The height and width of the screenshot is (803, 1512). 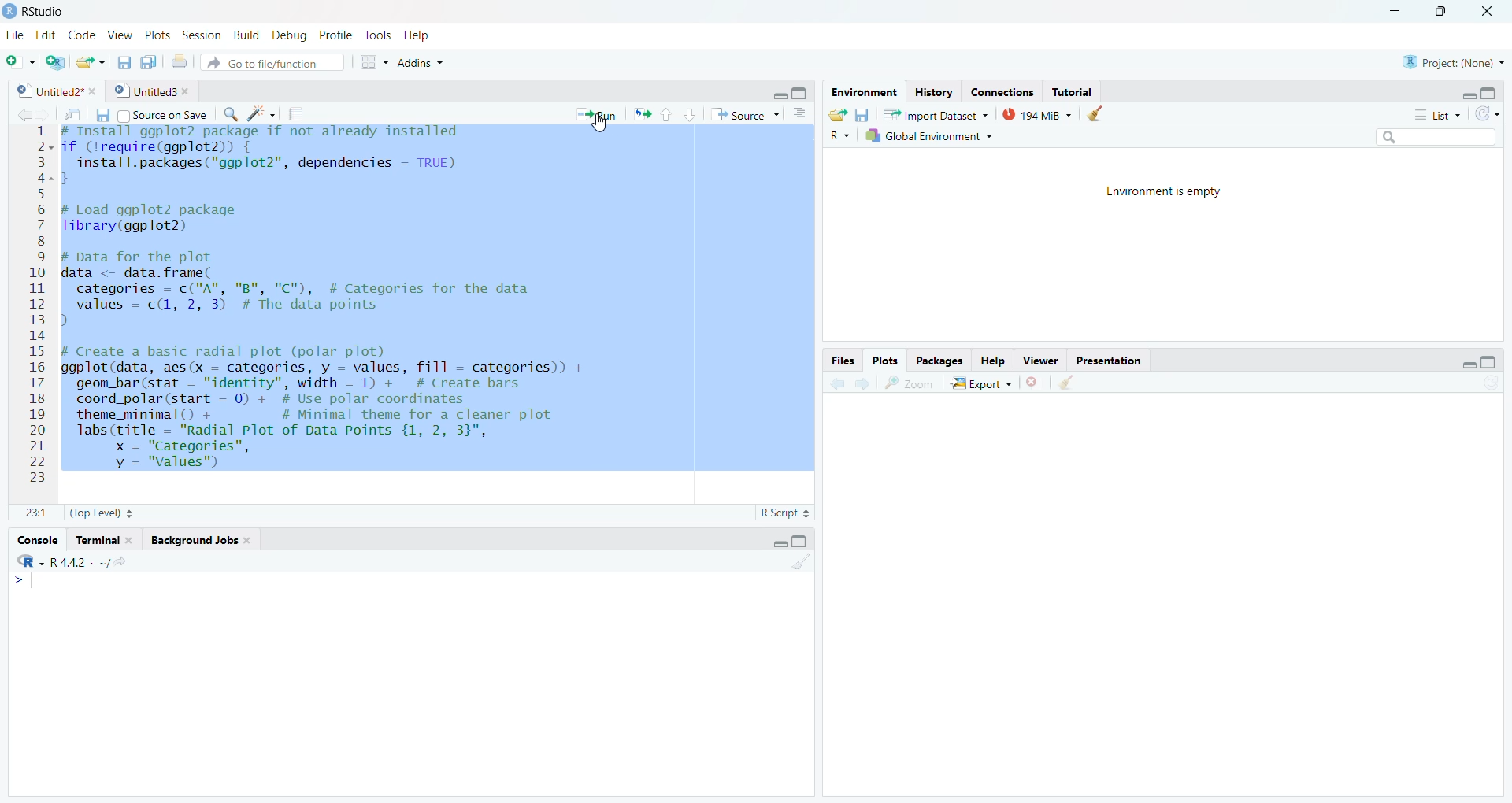 I want to click on Connections, so click(x=1004, y=91).